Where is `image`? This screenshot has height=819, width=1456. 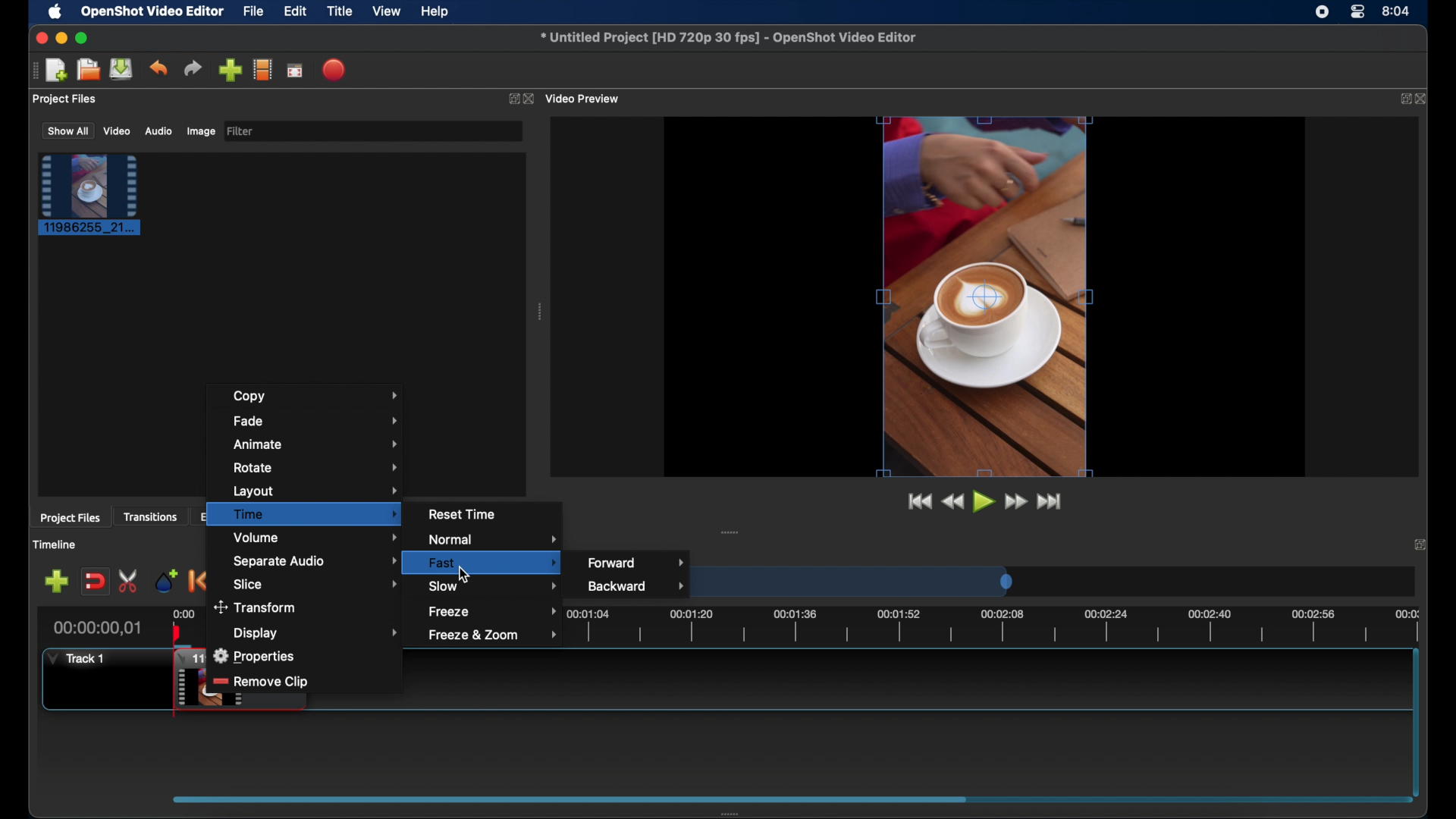
image is located at coordinates (200, 131).